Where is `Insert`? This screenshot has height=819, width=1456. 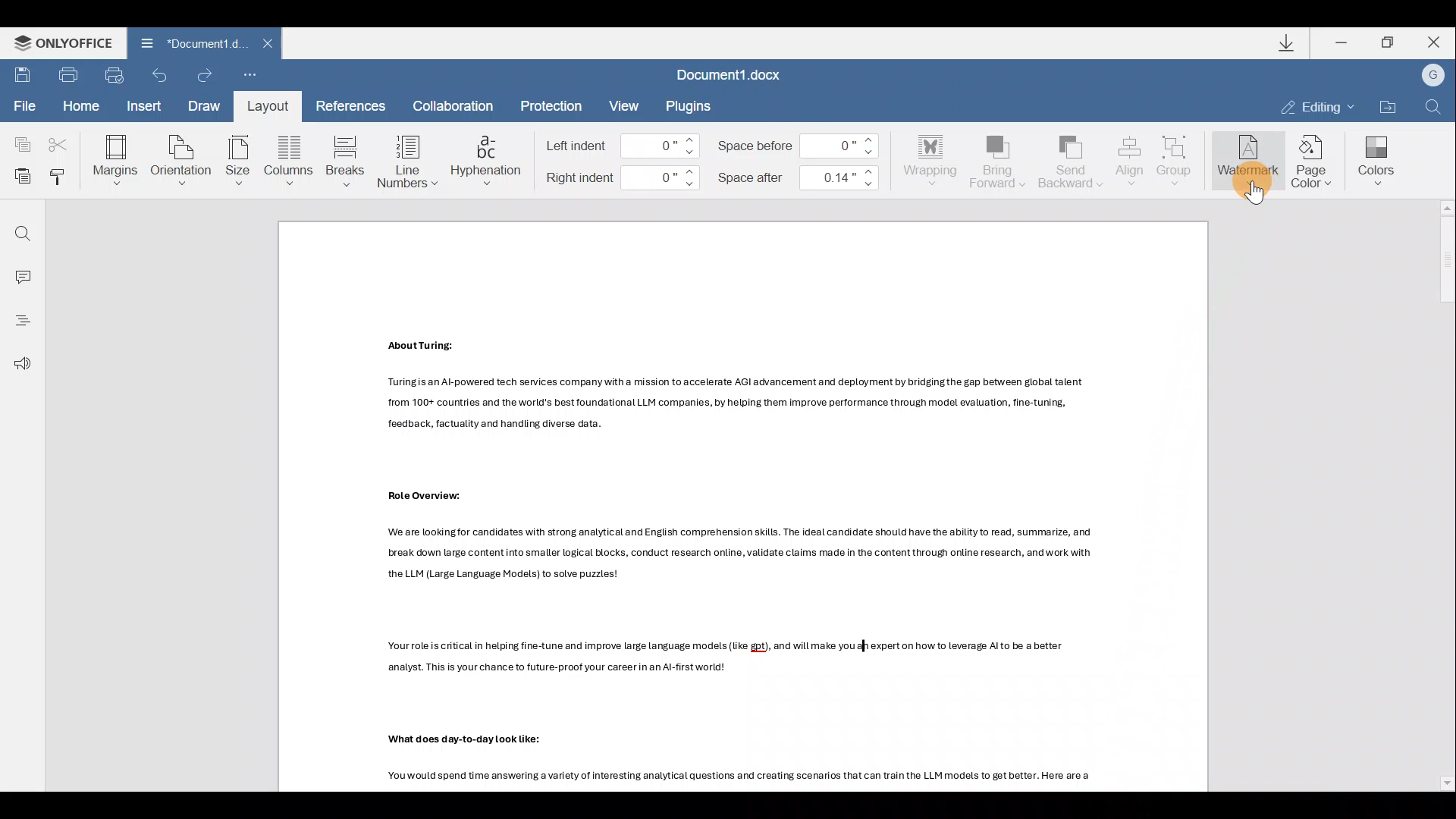
Insert is located at coordinates (146, 108).